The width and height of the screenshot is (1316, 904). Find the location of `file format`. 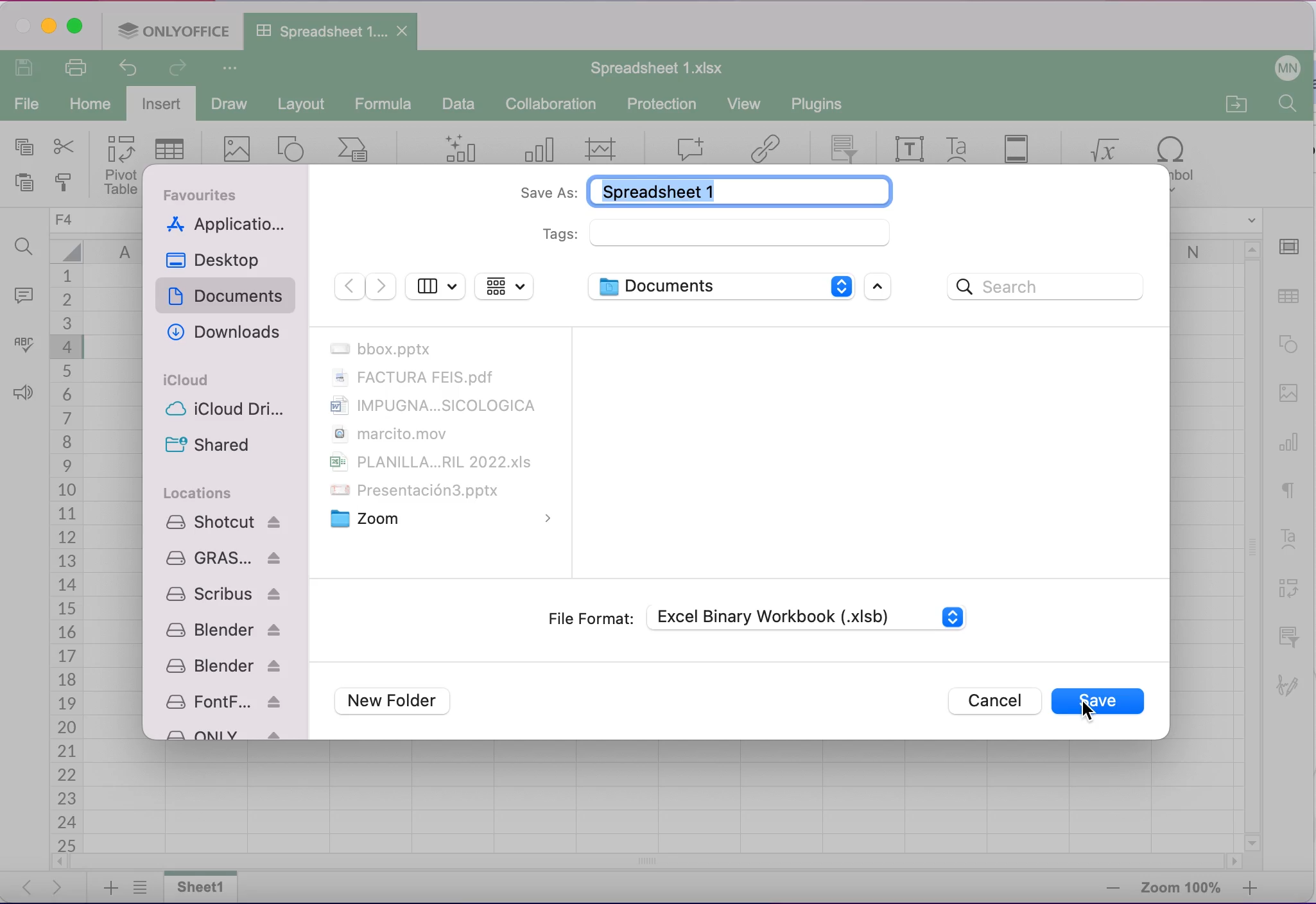

file format is located at coordinates (589, 618).